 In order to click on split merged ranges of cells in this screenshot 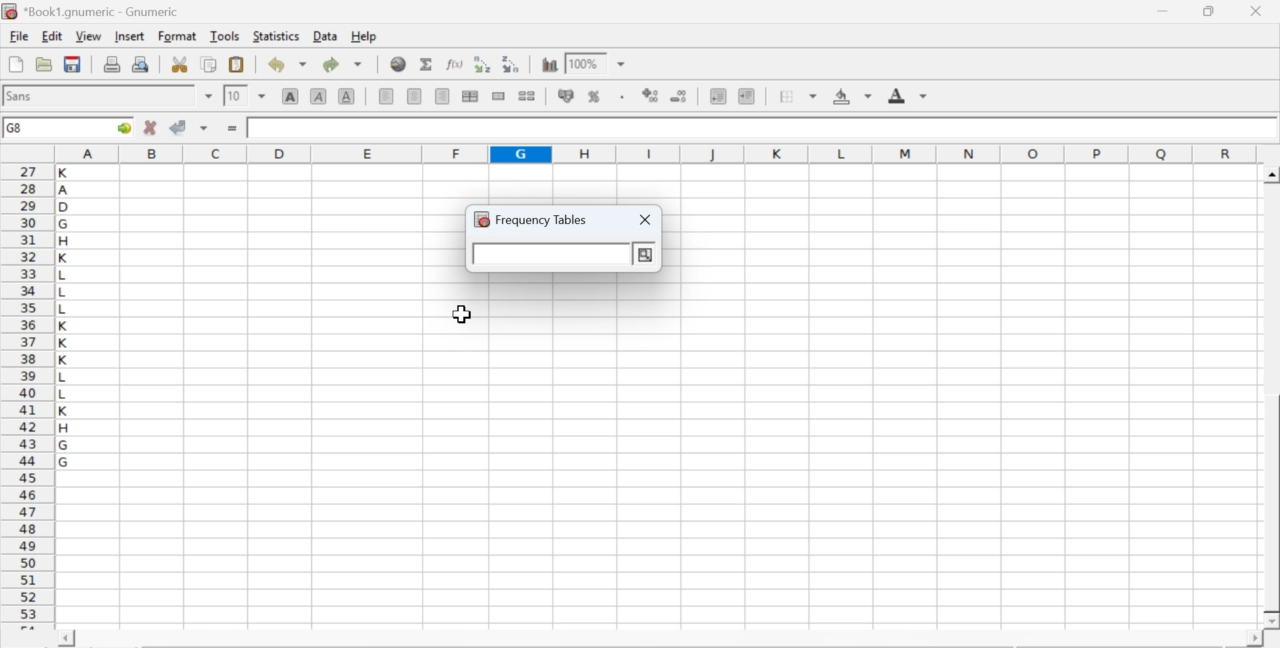, I will do `click(526, 95)`.